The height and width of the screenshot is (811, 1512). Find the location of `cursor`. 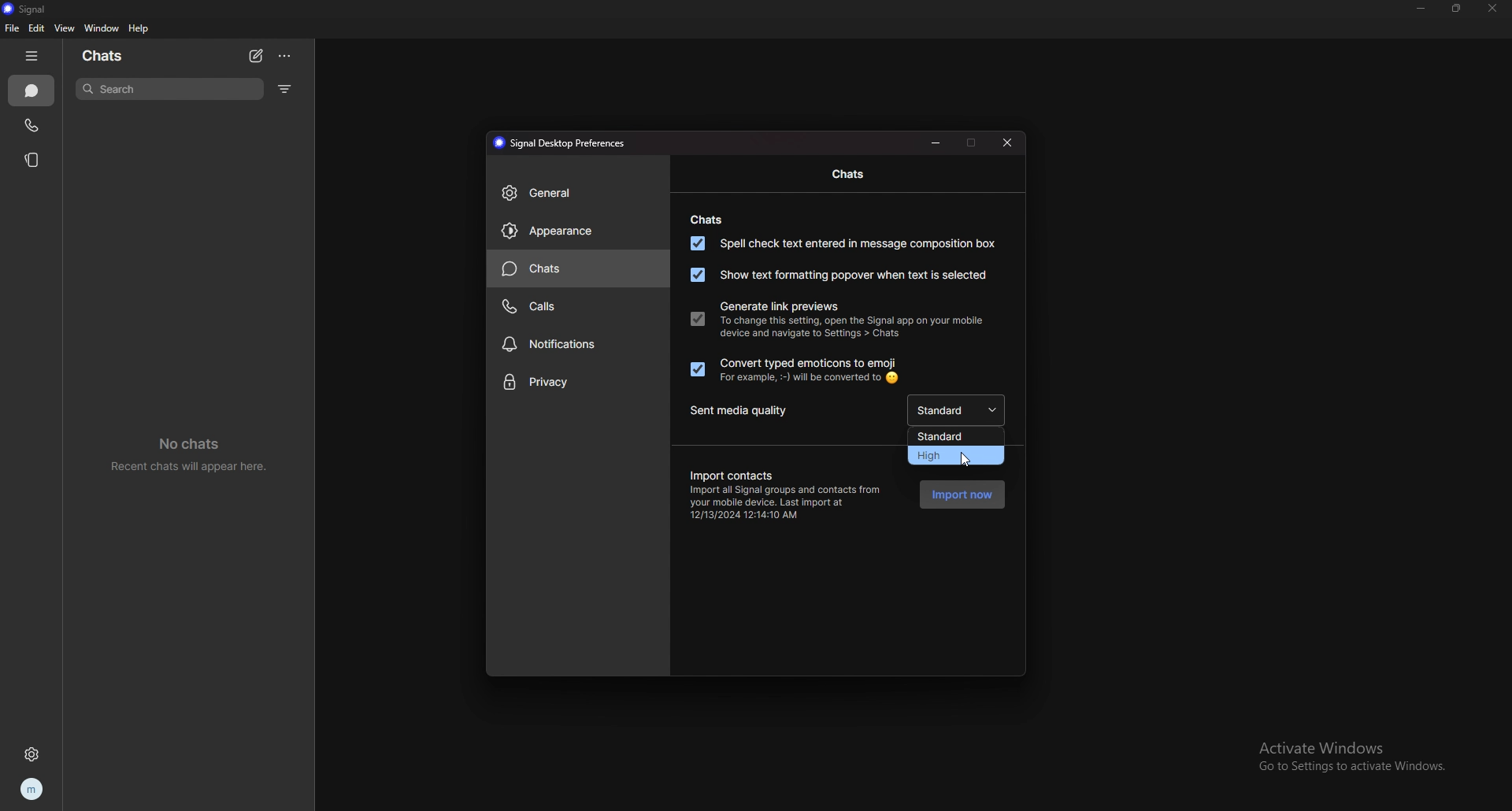

cursor is located at coordinates (965, 457).